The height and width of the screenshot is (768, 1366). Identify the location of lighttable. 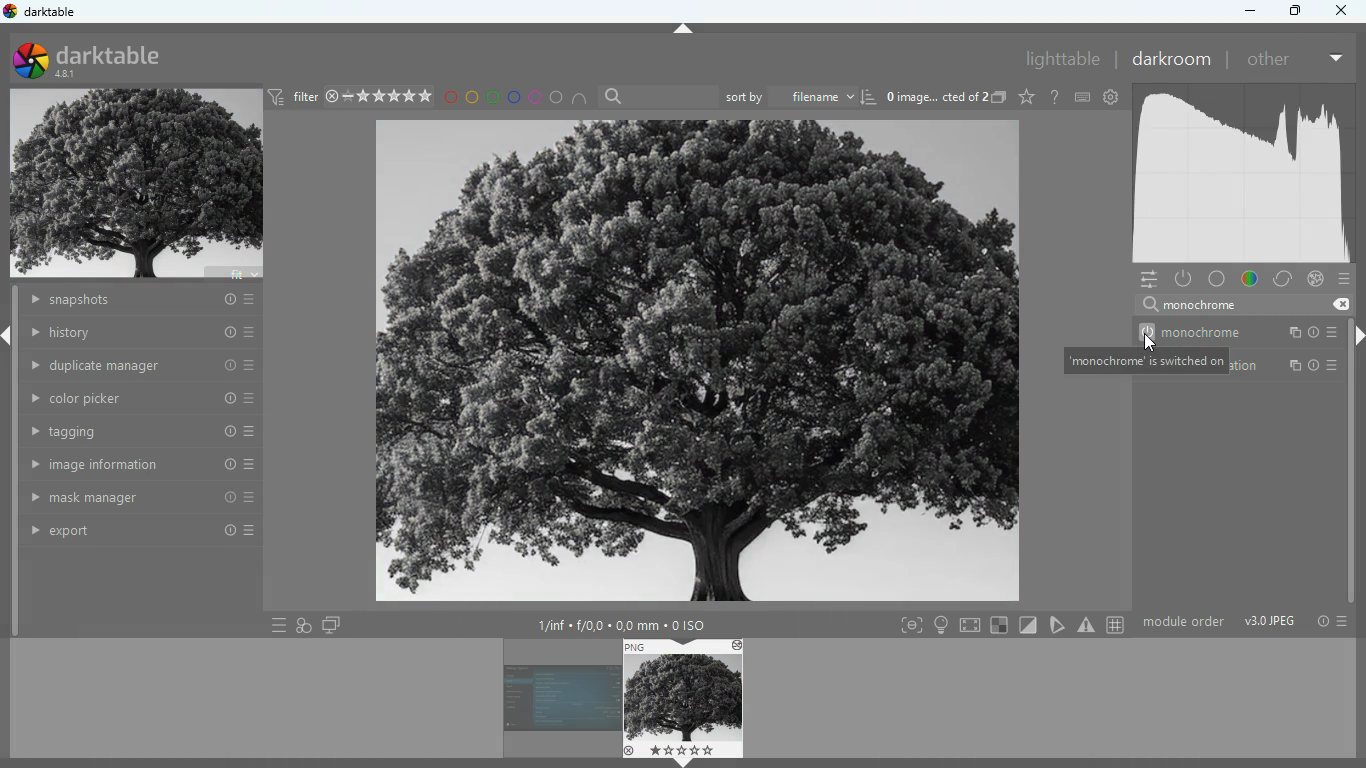
(1059, 58).